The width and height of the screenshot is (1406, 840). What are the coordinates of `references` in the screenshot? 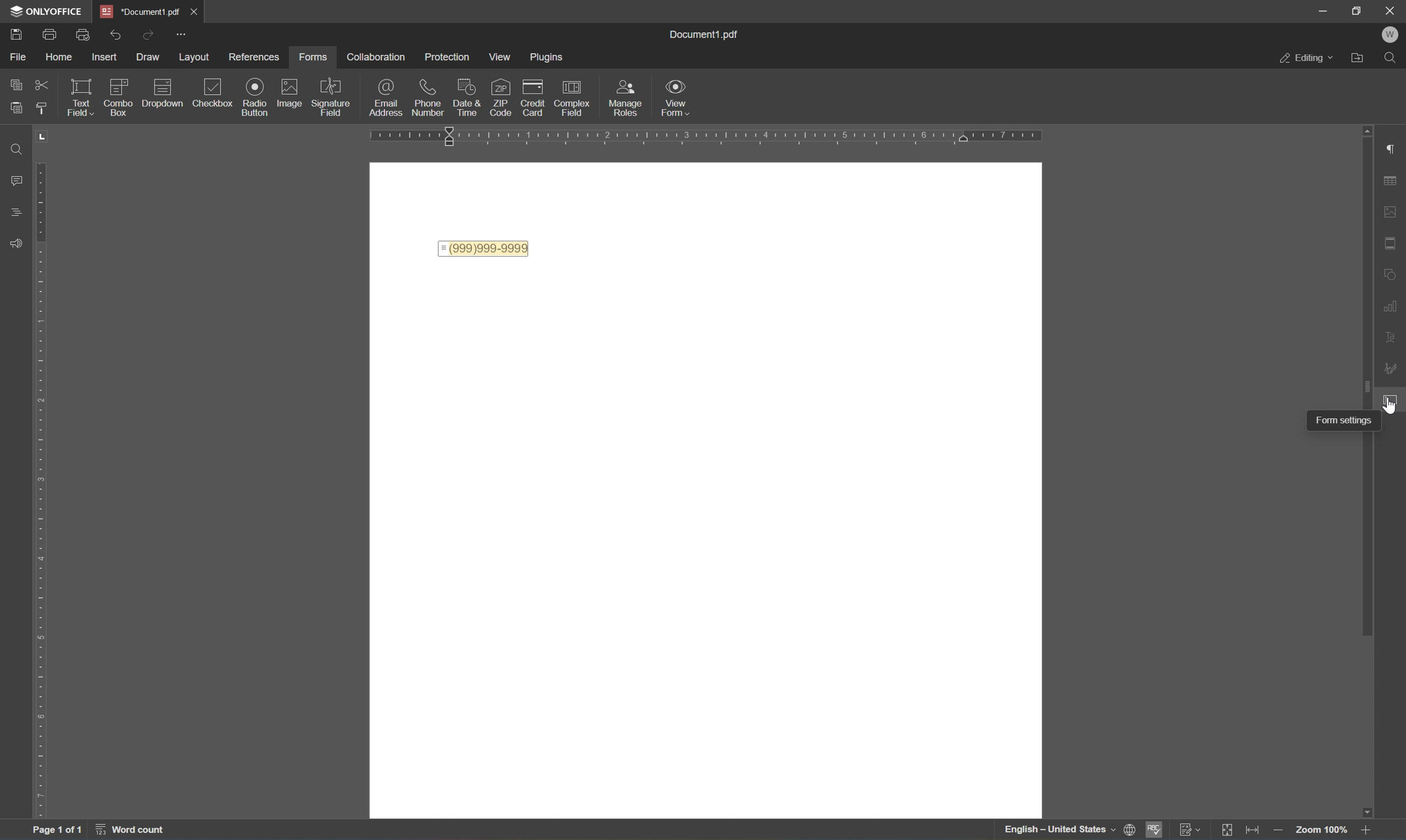 It's located at (253, 57).